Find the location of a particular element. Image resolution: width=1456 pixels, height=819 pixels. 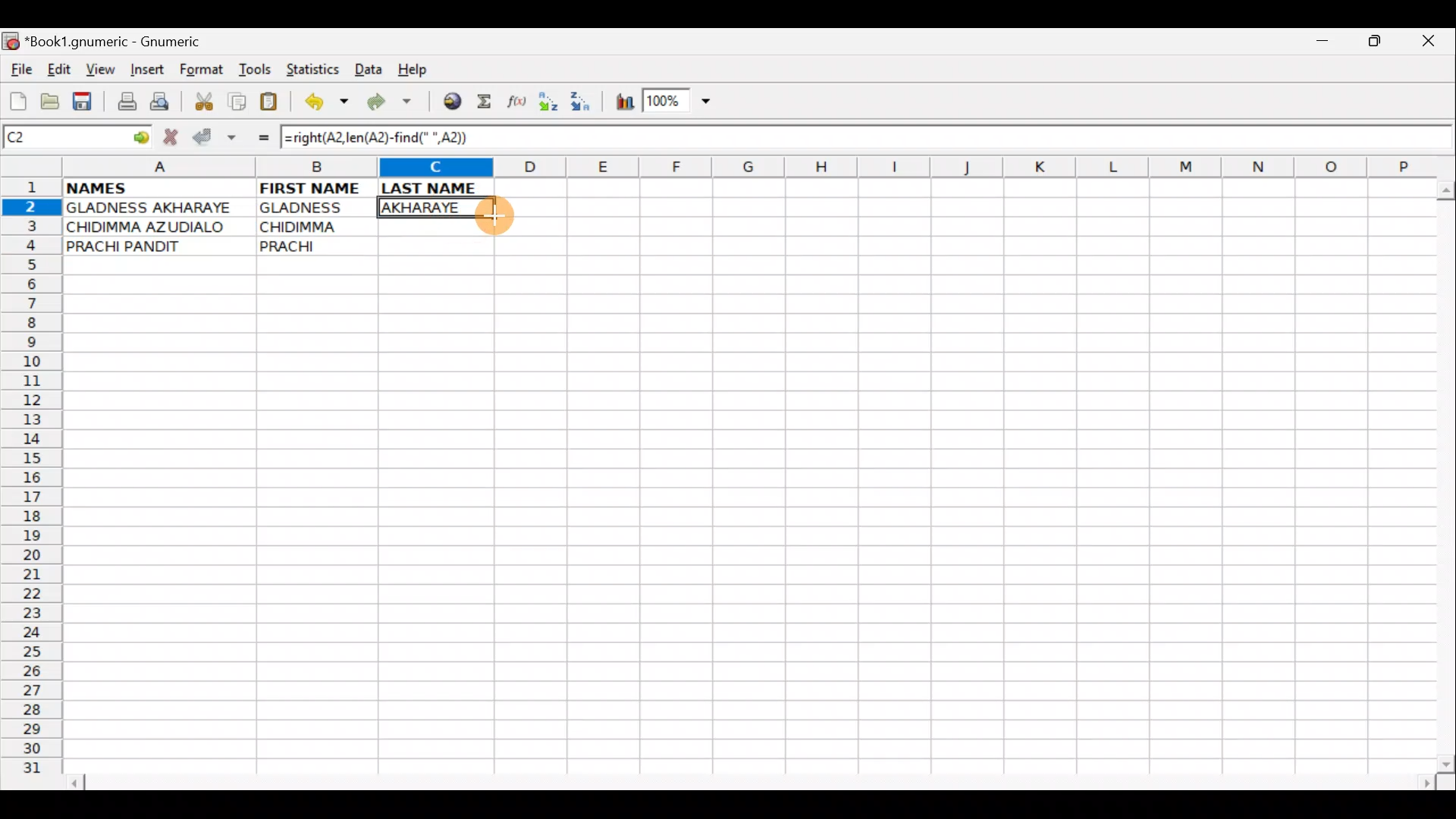

Insert hyperlink is located at coordinates (450, 102).